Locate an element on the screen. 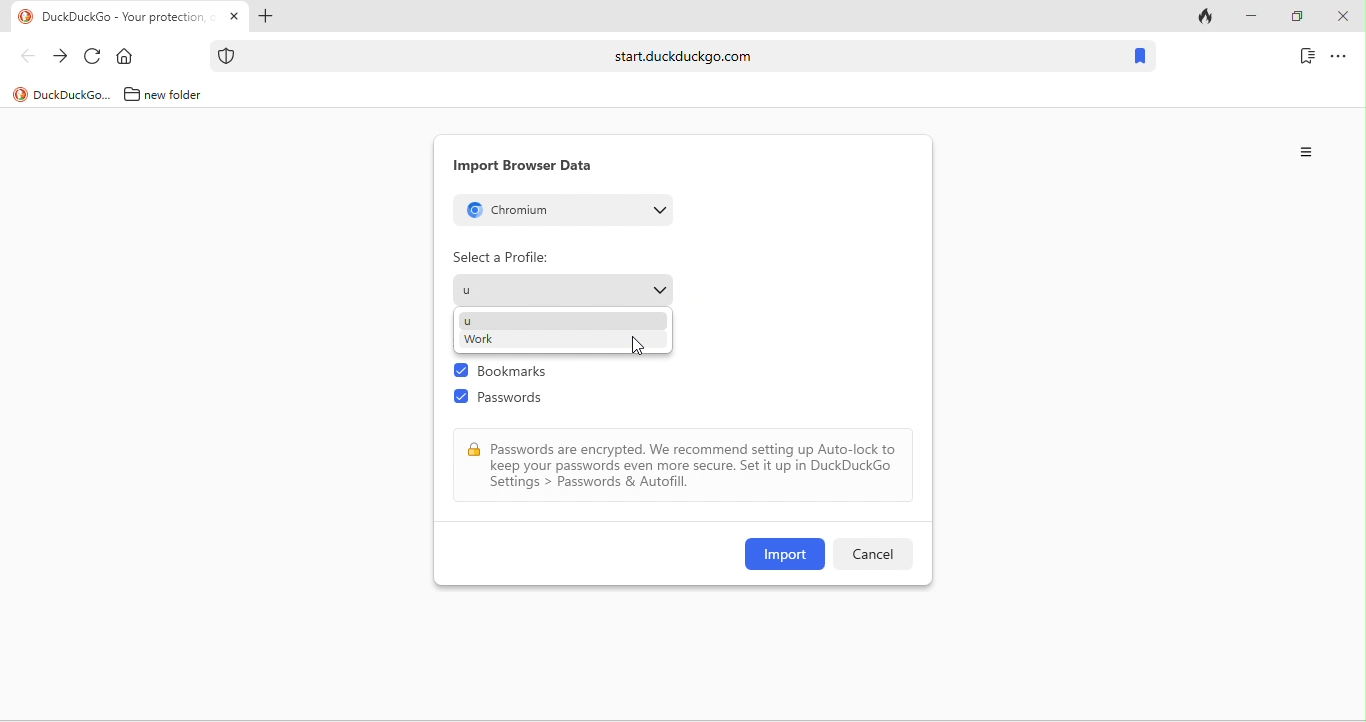 The image size is (1366, 722). add tab is located at coordinates (264, 18).